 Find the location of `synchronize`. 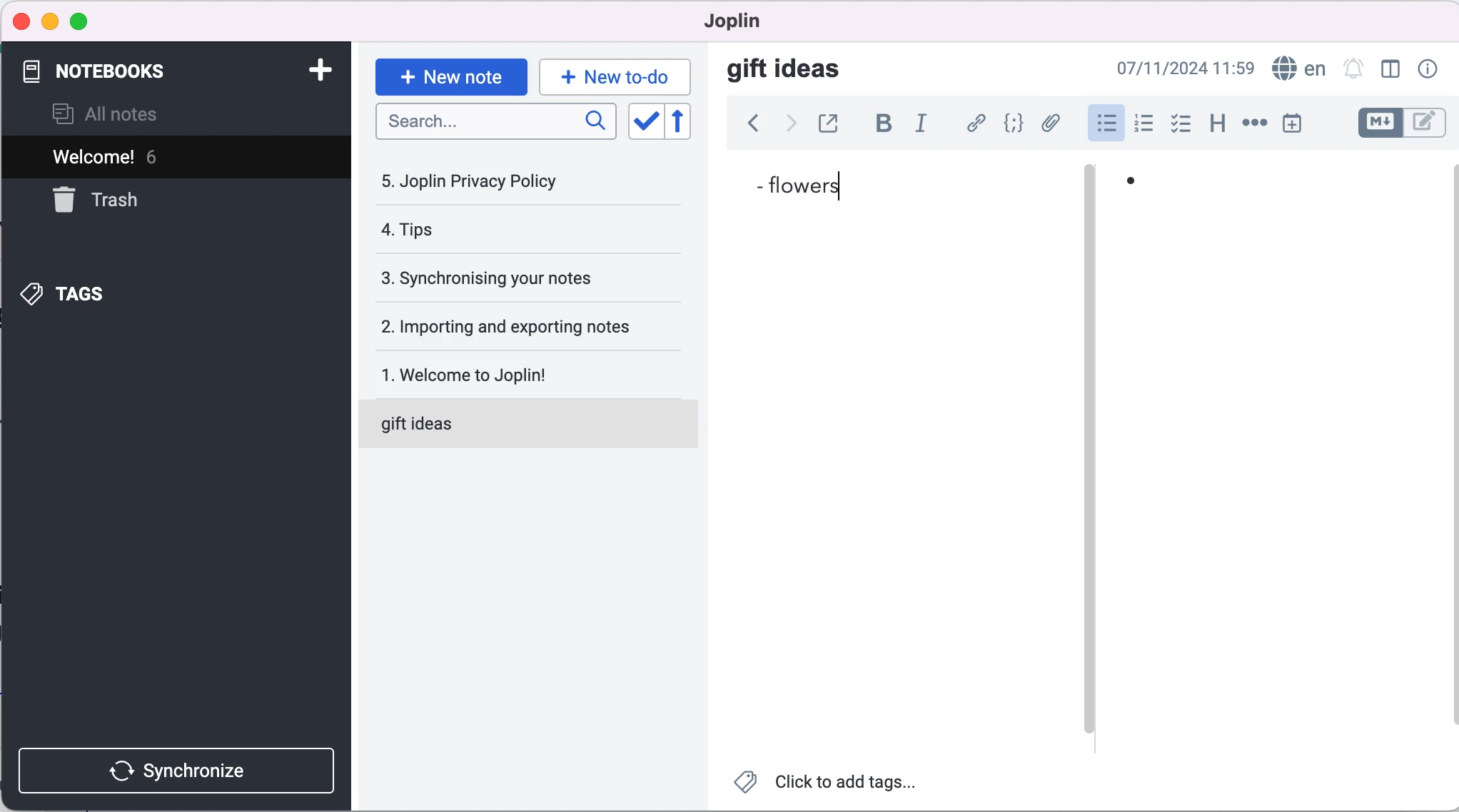

synchronize is located at coordinates (175, 768).